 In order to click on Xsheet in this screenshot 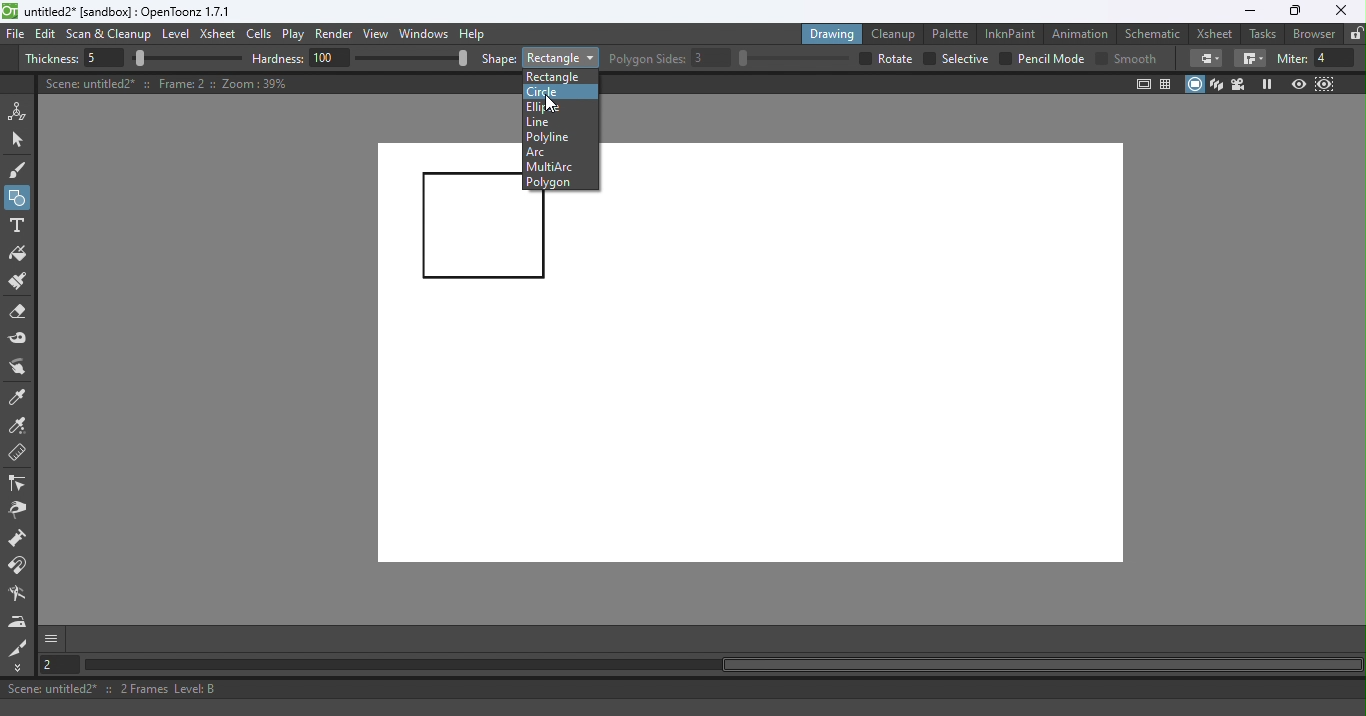, I will do `click(220, 36)`.